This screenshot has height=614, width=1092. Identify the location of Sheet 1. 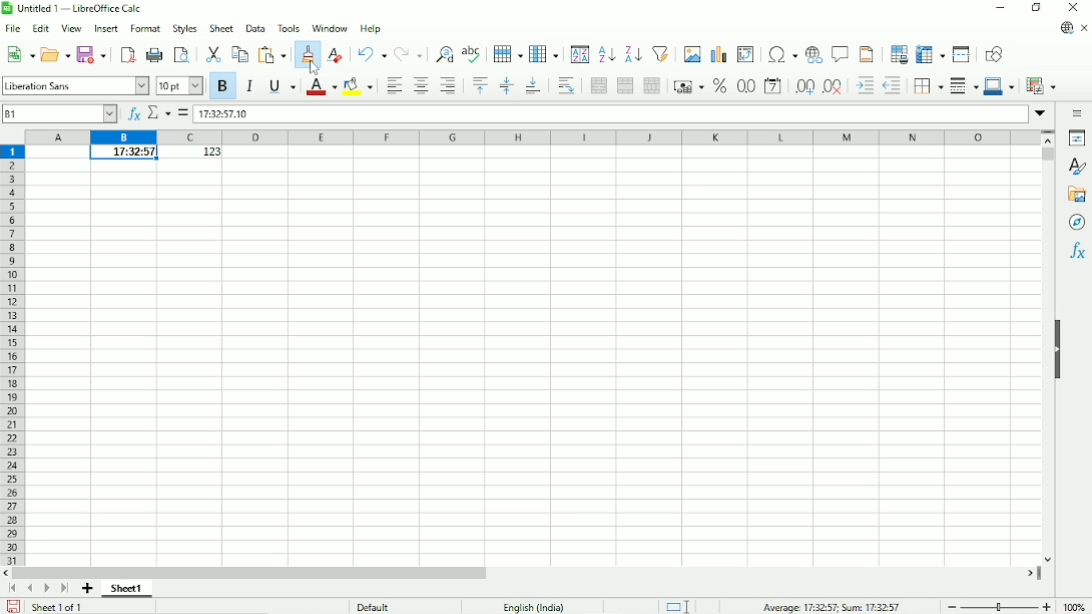
(127, 590).